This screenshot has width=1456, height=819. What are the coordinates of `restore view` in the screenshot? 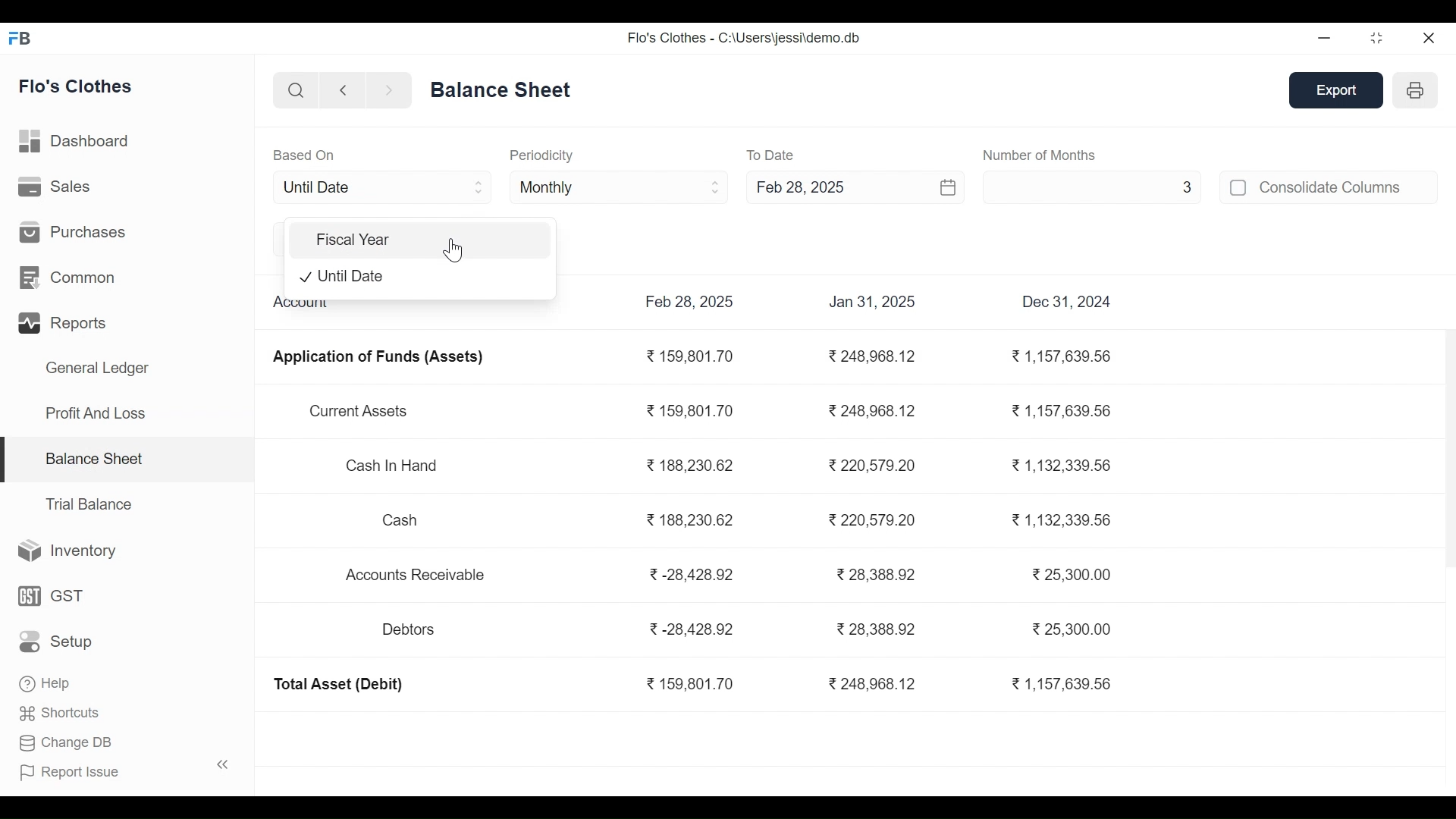 It's located at (1378, 39).